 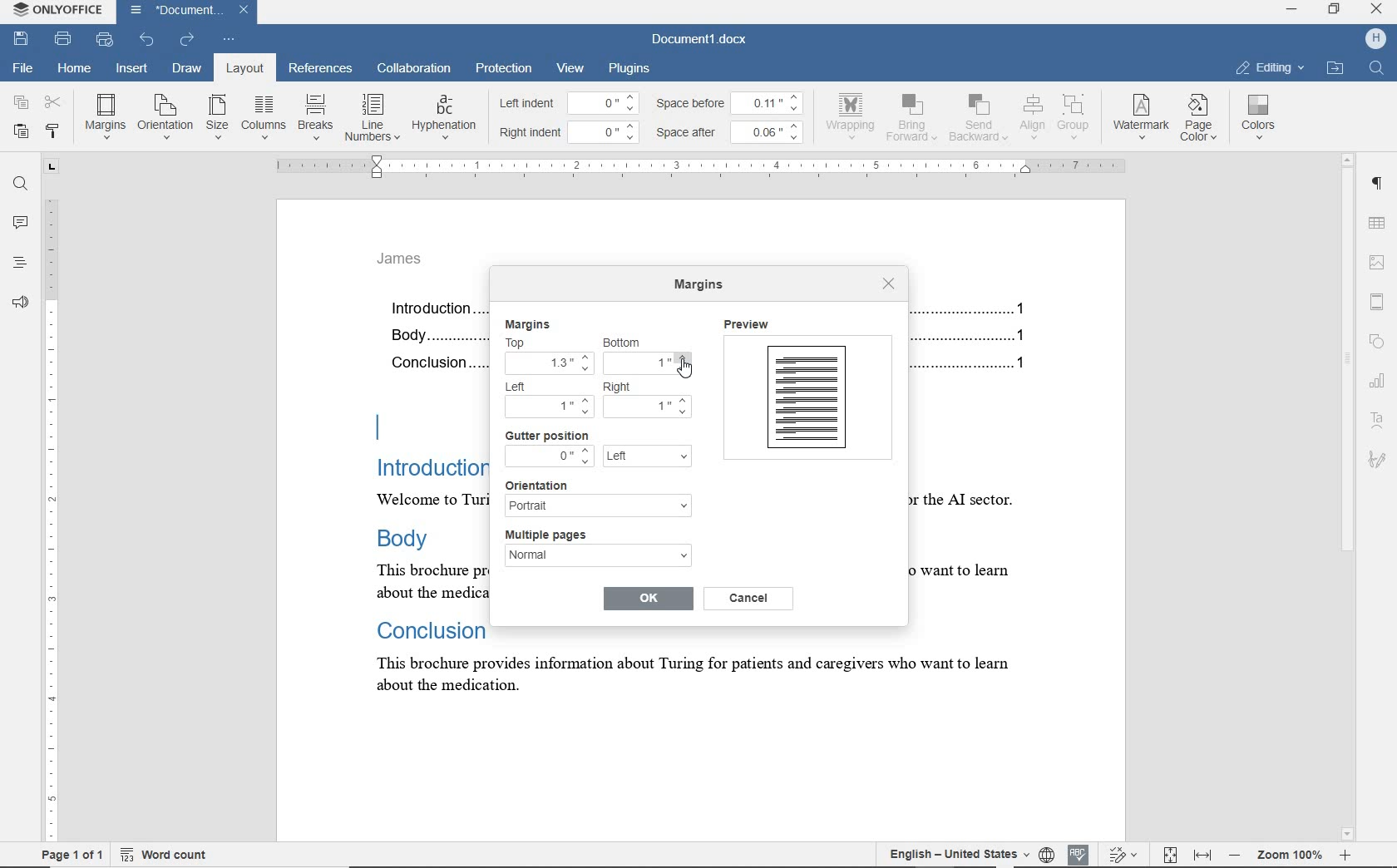 I want to click on 0, so click(x=549, y=456).